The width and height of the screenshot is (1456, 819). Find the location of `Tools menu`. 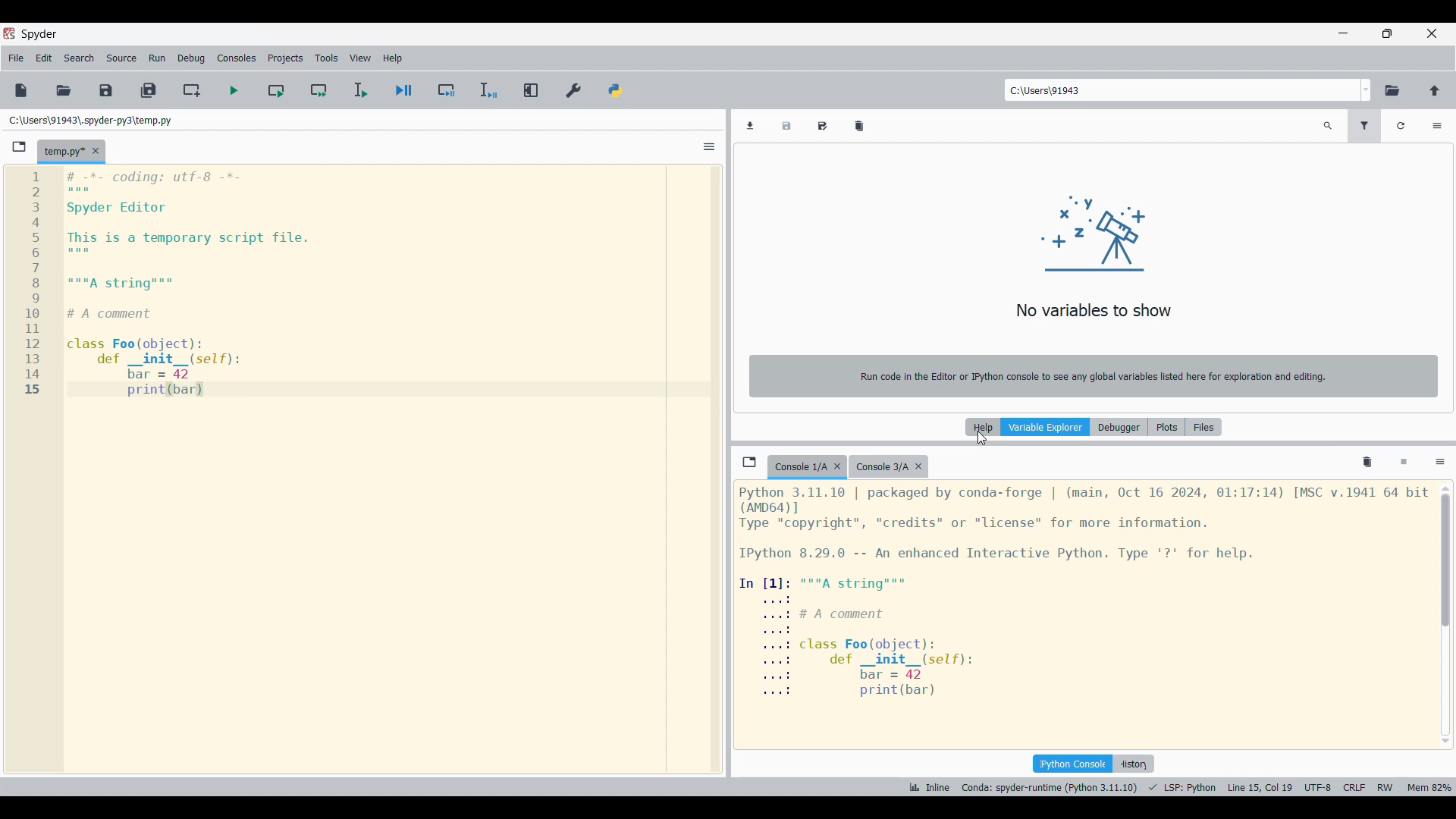

Tools menu is located at coordinates (326, 58).